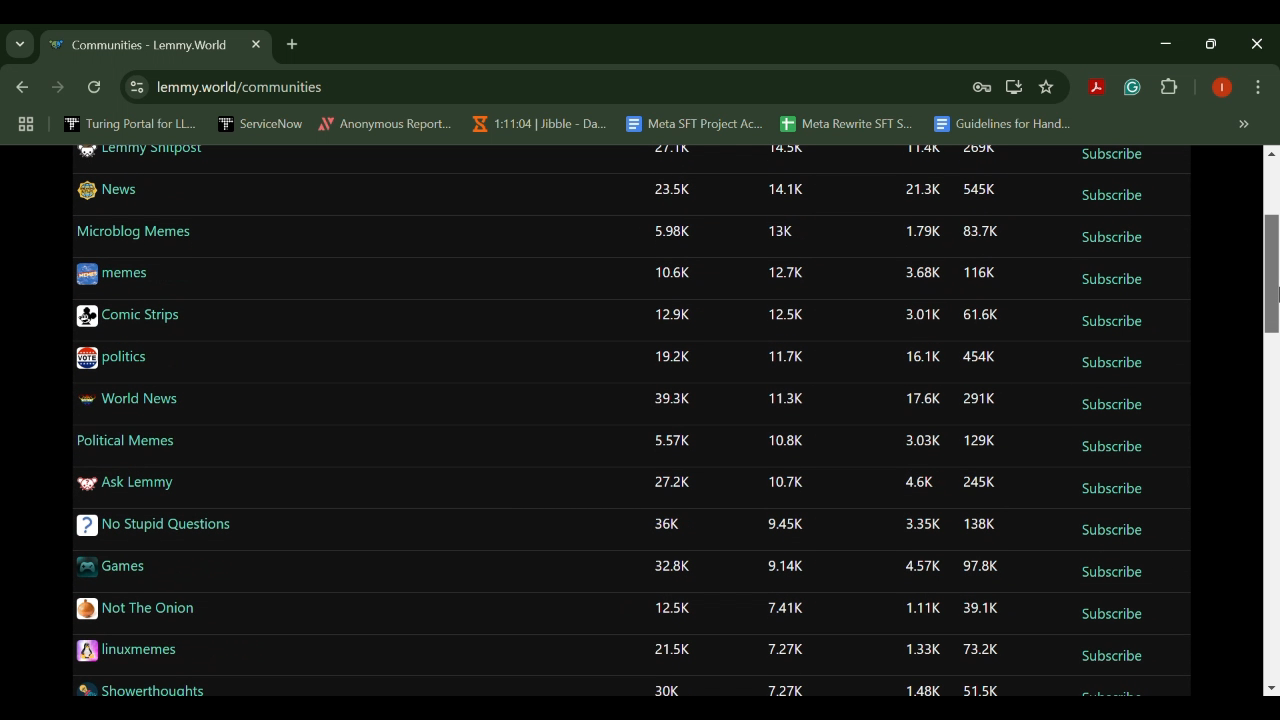 The width and height of the screenshot is (1280, 720). Describe the element at coordinates (138, 609) in the screenshot. I see `Not The Onion` at that location.